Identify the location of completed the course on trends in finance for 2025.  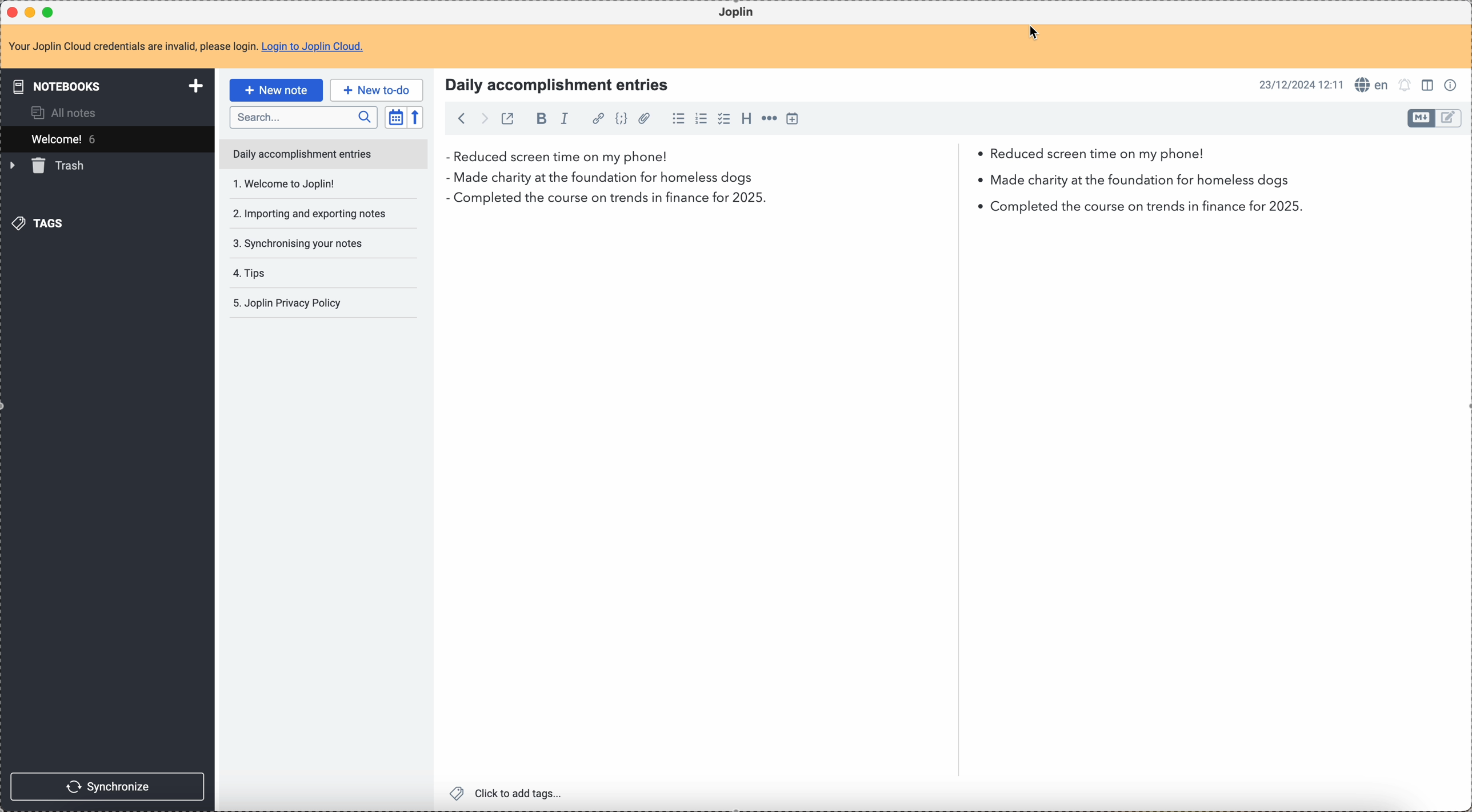
(879, 205).